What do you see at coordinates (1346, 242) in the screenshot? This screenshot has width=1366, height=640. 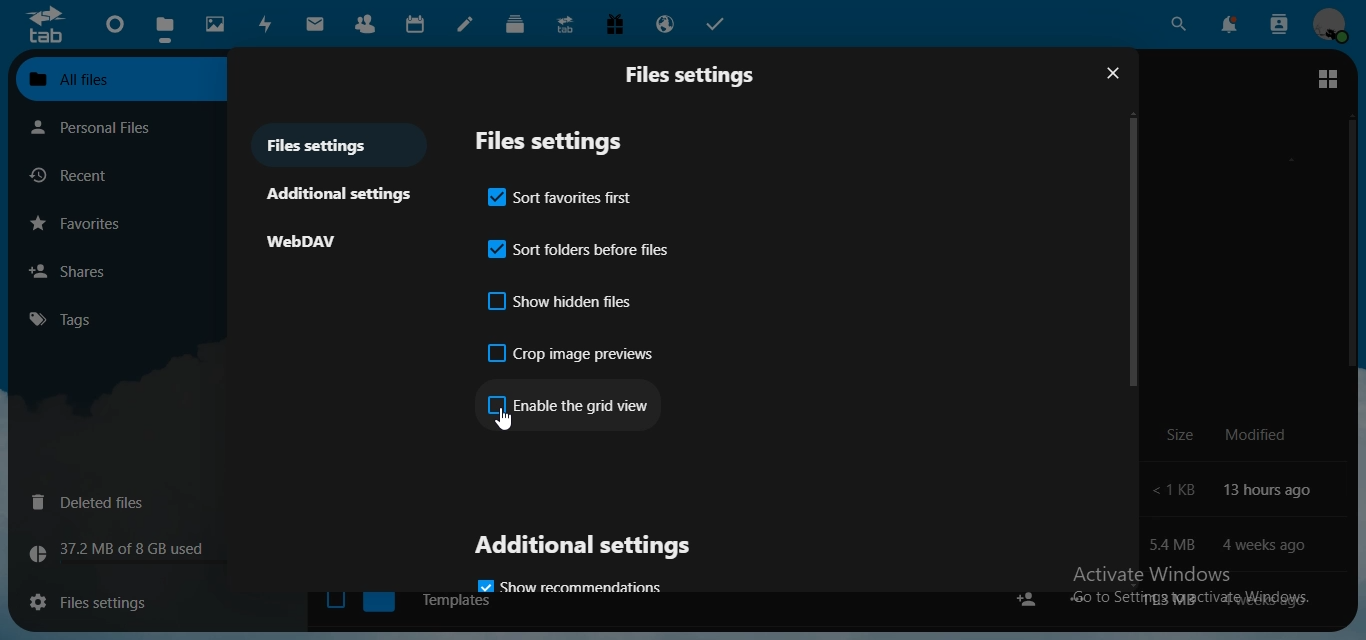 I see `scroll bar` at bounding box center [1346, 242].